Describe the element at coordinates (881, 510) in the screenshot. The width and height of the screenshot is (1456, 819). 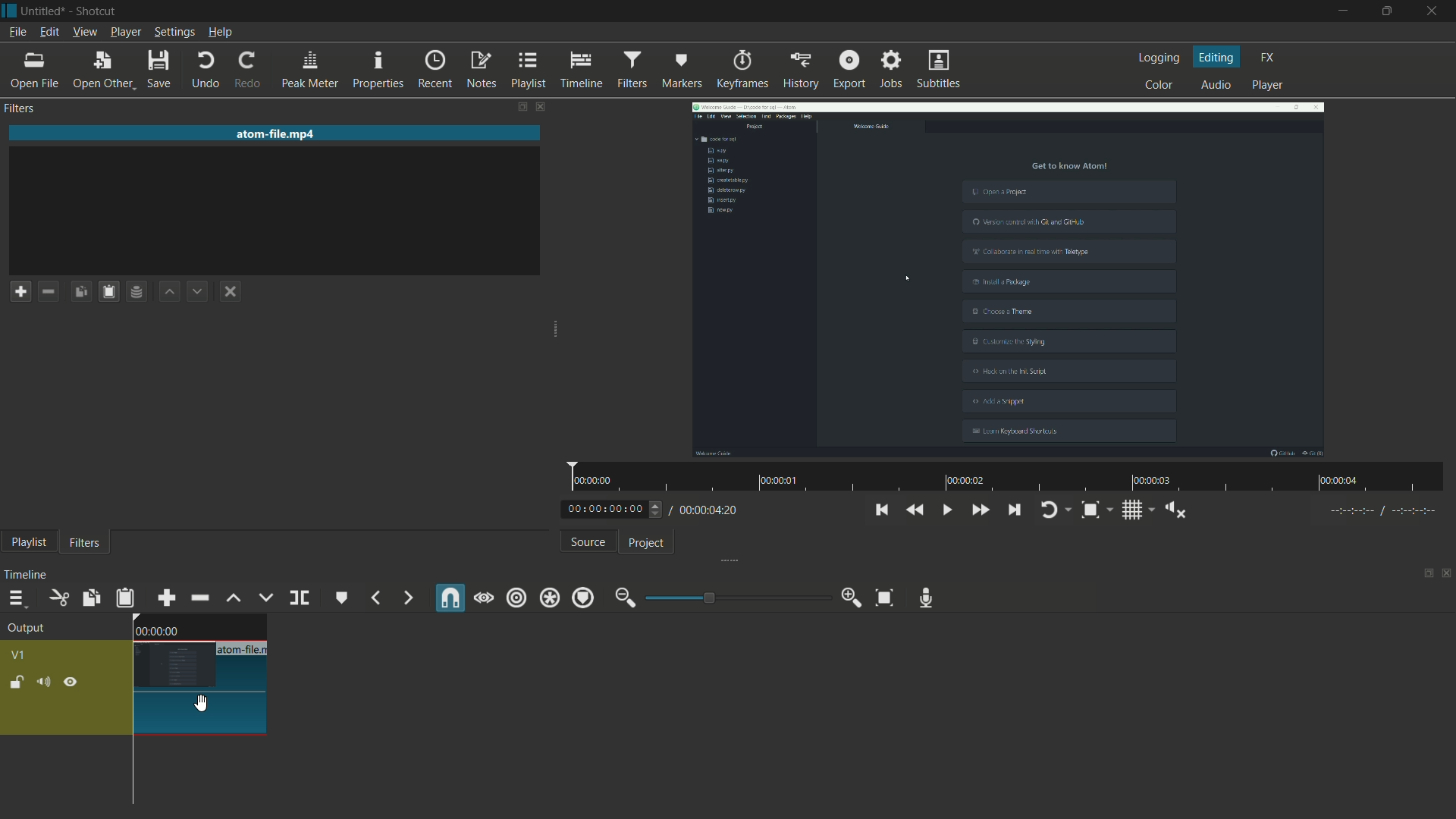
I see `skip to the previous point` at that location.